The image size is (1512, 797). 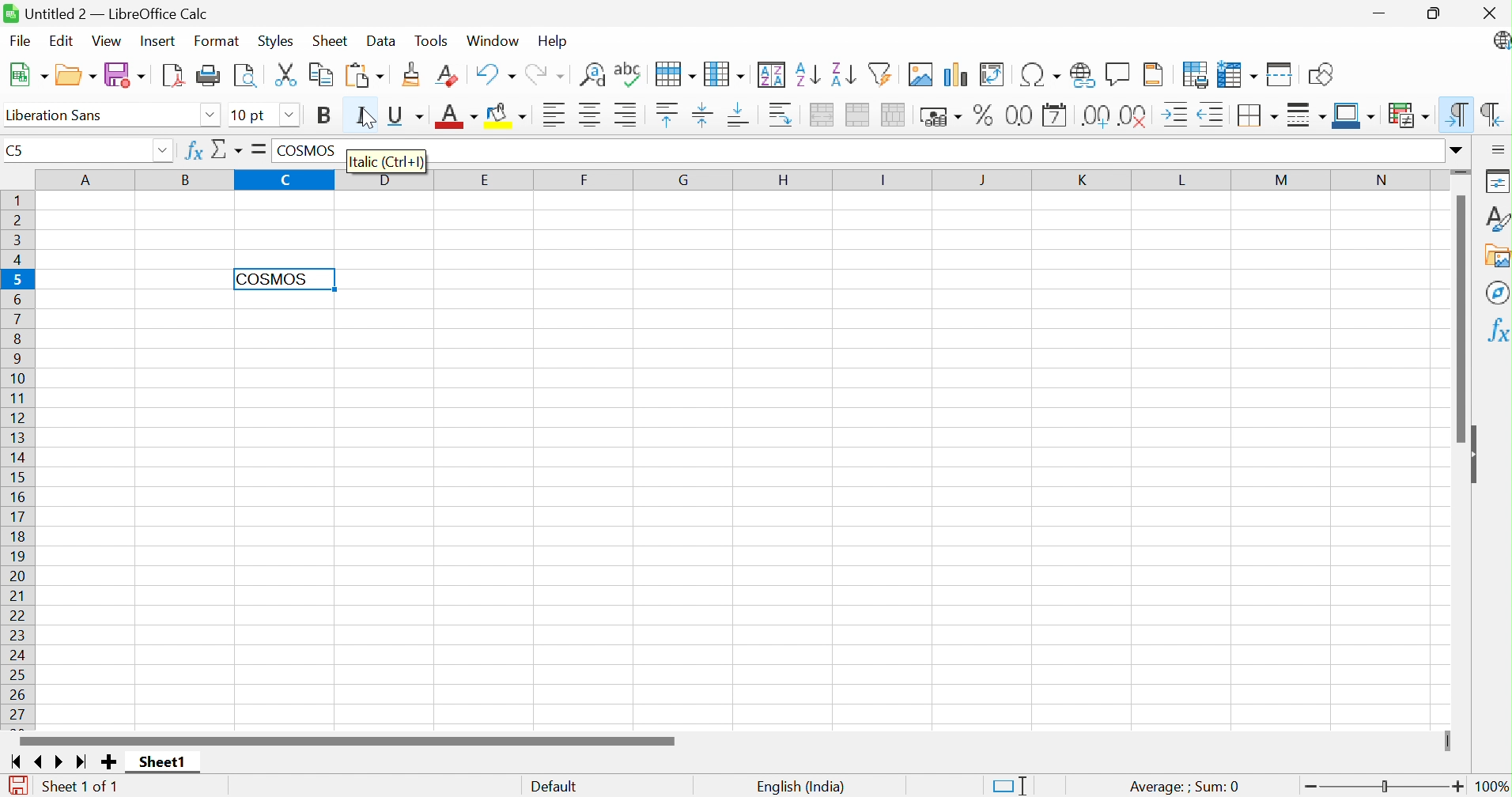 What do you see at coordinates (858, 115) in the screenshot?
I see `Merge cells` at bounding box center [858, 115].